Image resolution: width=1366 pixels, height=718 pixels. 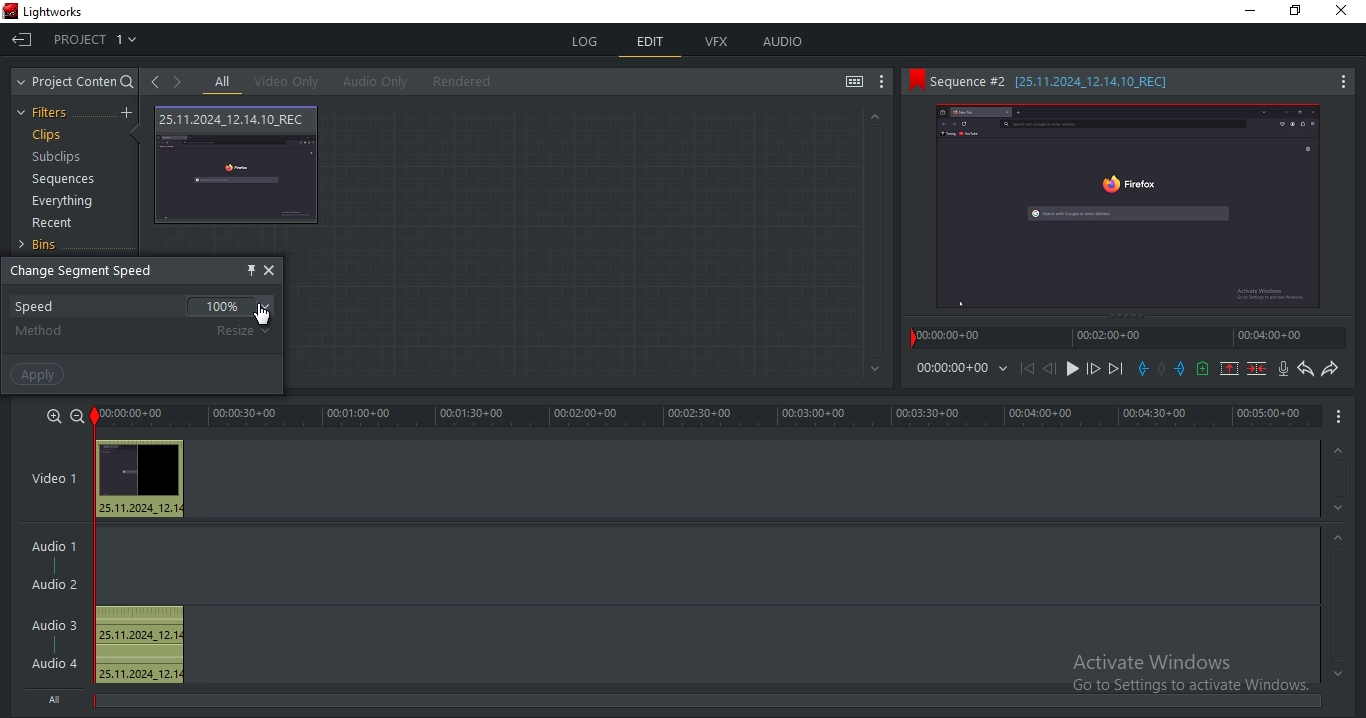 I want to click on method, so click(x=42, y=331).